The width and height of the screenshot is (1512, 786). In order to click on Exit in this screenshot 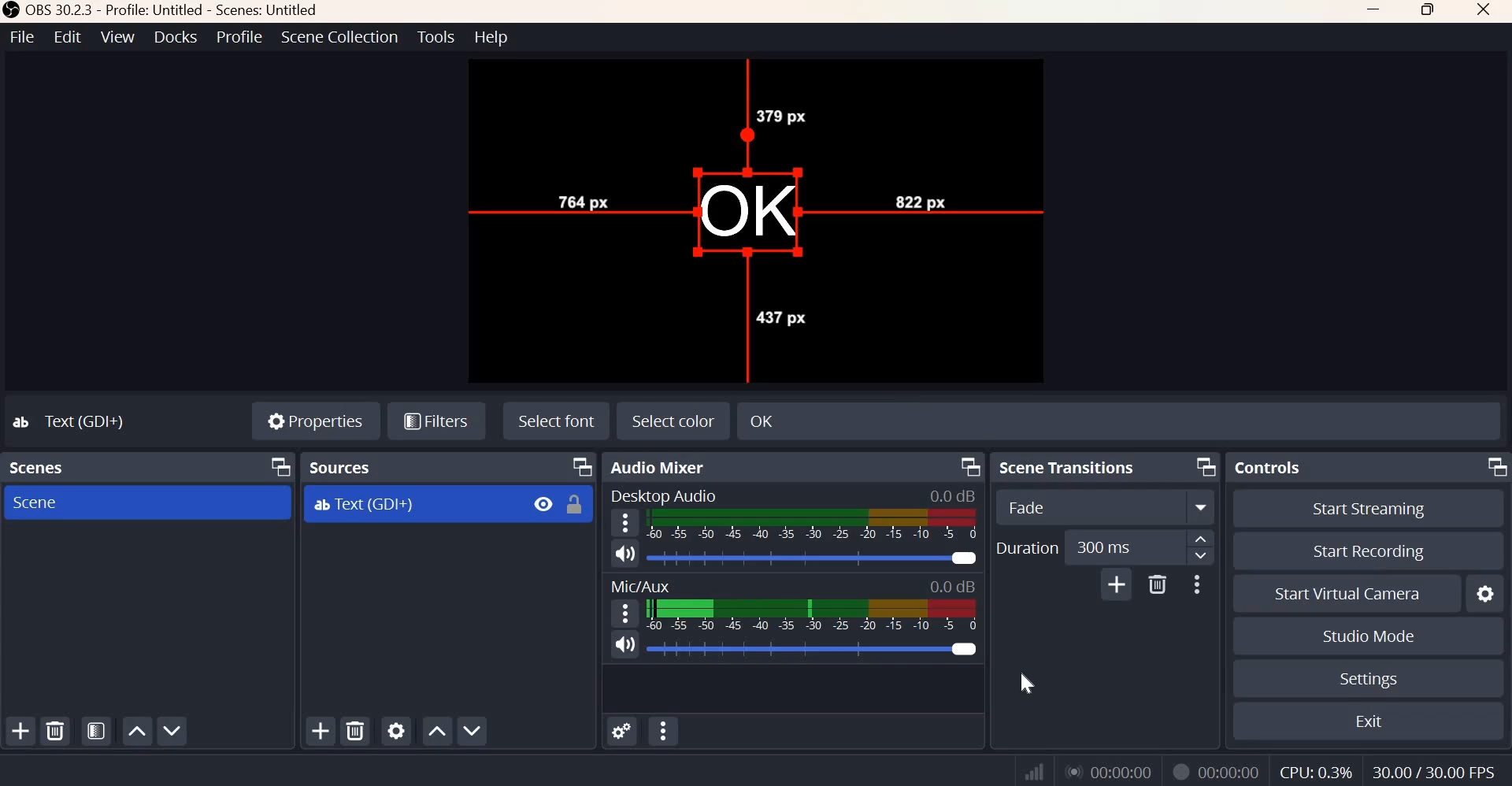, I will do `click(1370, 720)`.